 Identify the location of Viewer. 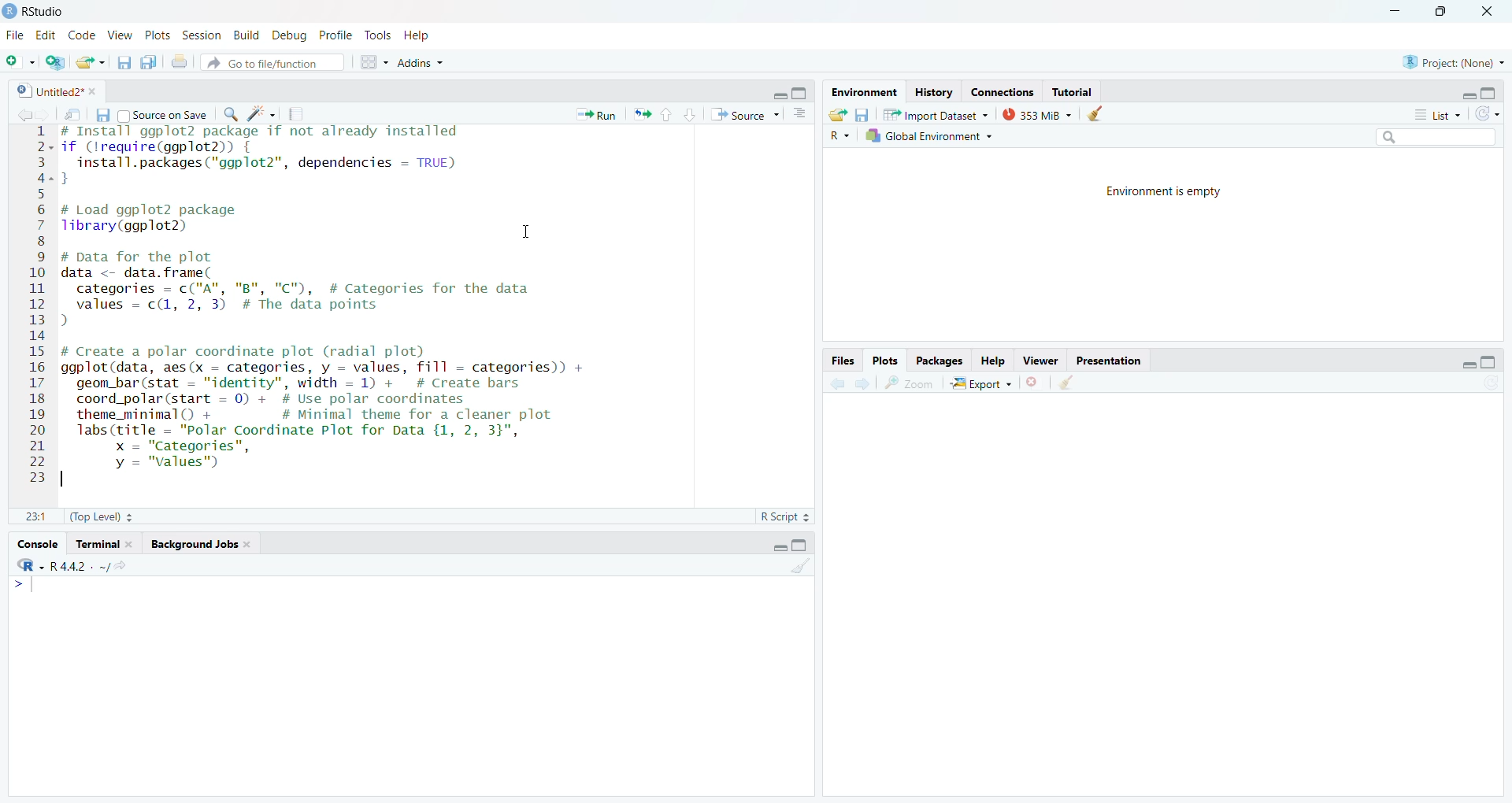
(1041, 359).